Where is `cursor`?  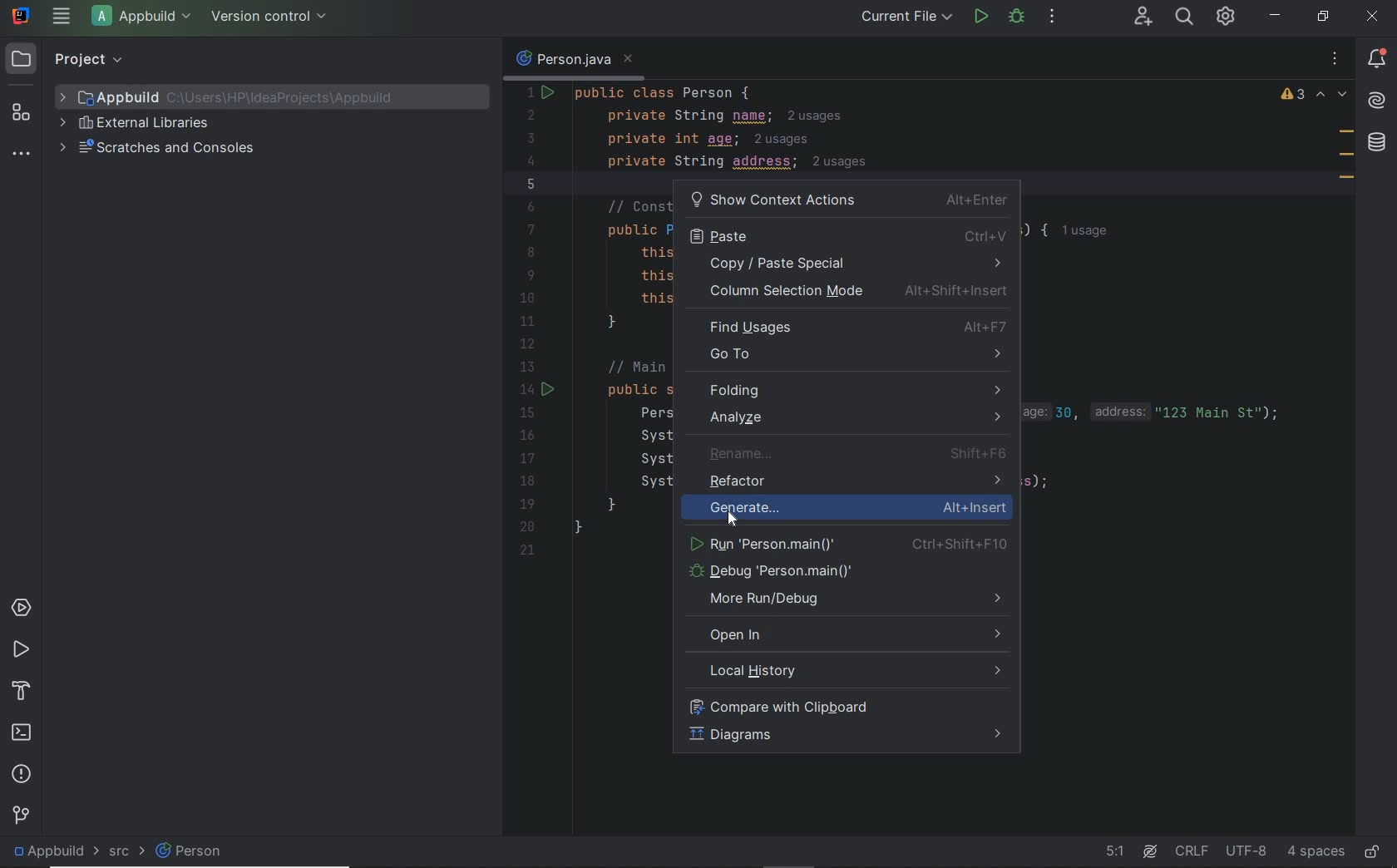 cursor is located at coordinates (733, 514).